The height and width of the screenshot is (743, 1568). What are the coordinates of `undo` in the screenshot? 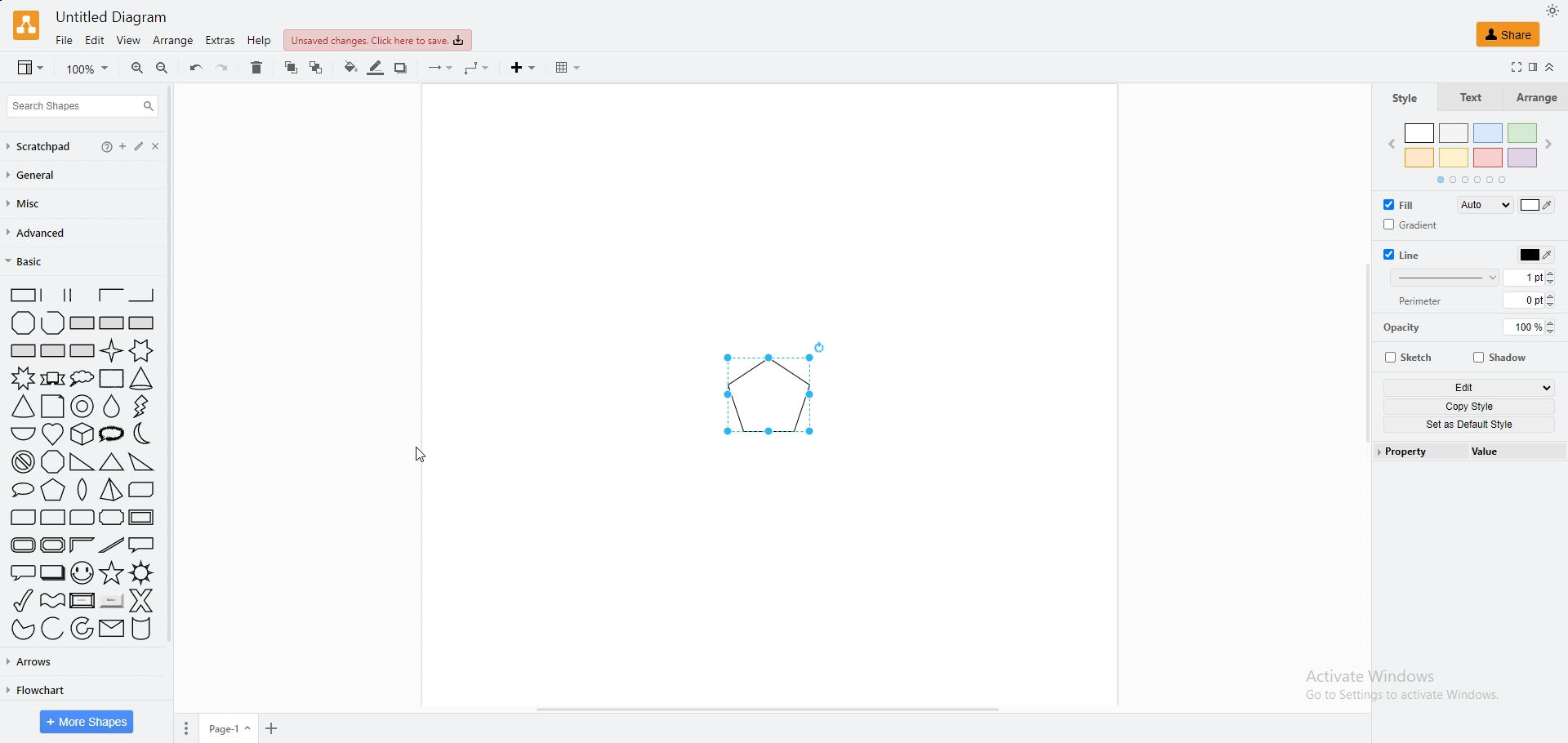 It's located at (195, 68).